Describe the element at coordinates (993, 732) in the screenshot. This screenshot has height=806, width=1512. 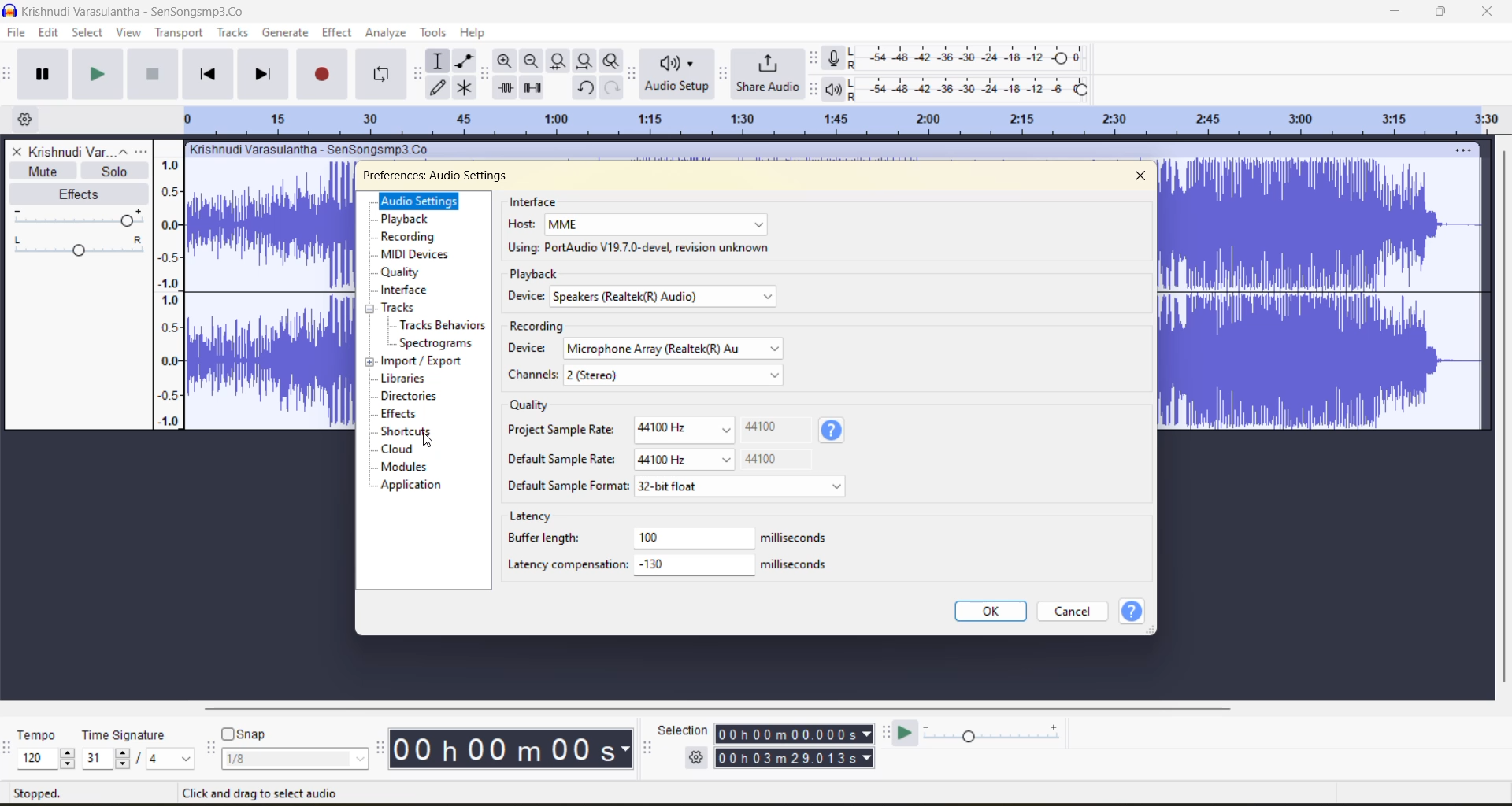
I see `playback speed` at that location.